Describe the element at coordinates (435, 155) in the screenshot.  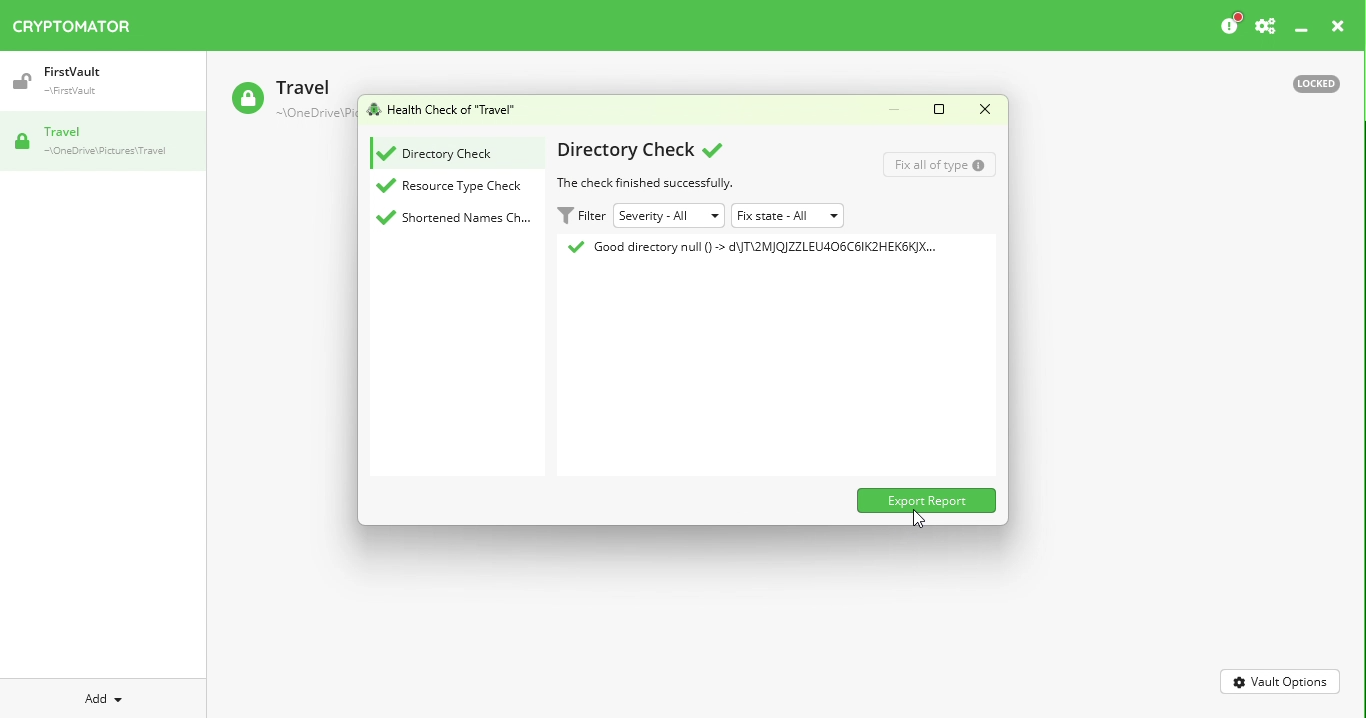
I see `Directory check` at that location.